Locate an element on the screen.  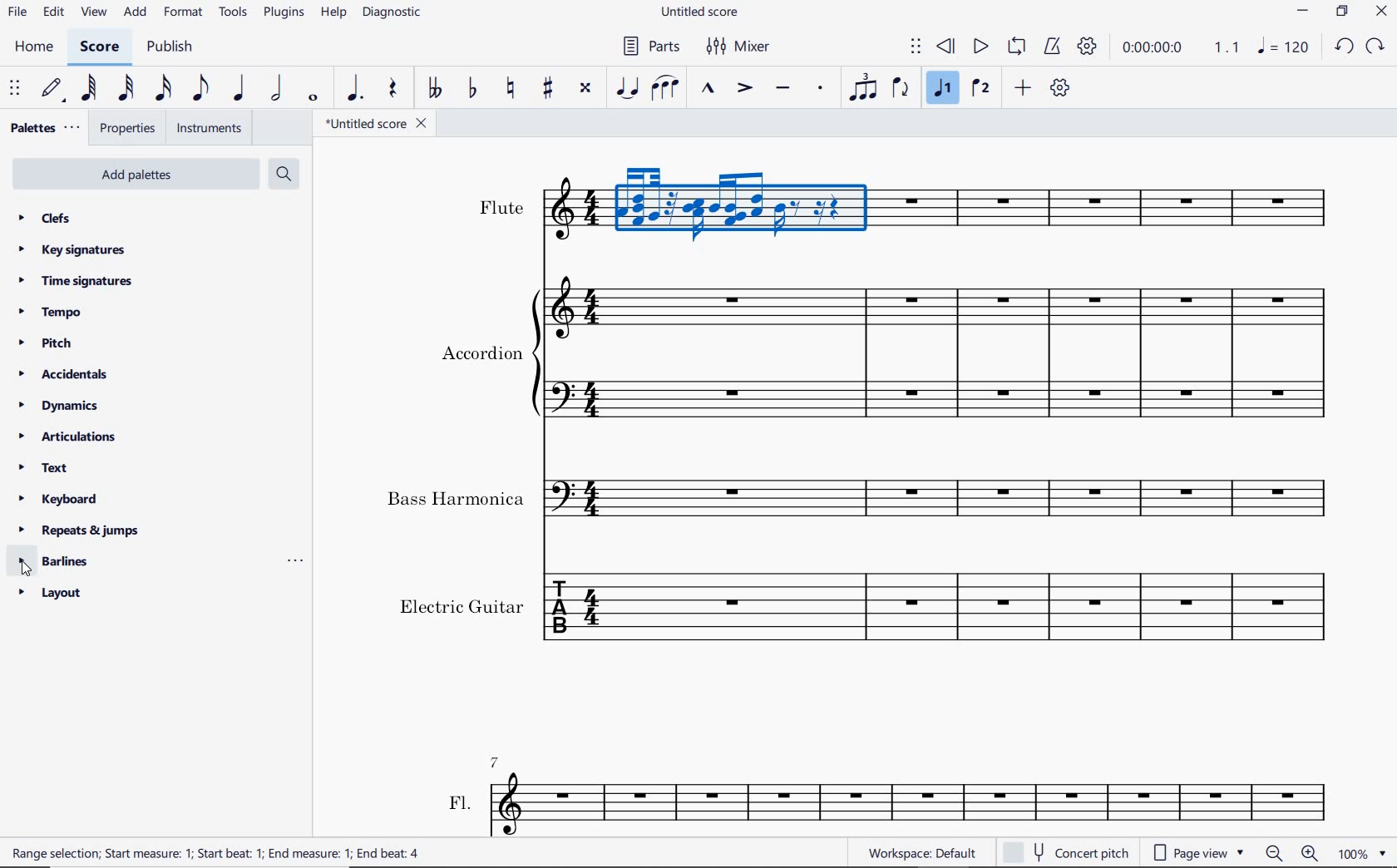
accidentals is located at coordinates (69, 373).